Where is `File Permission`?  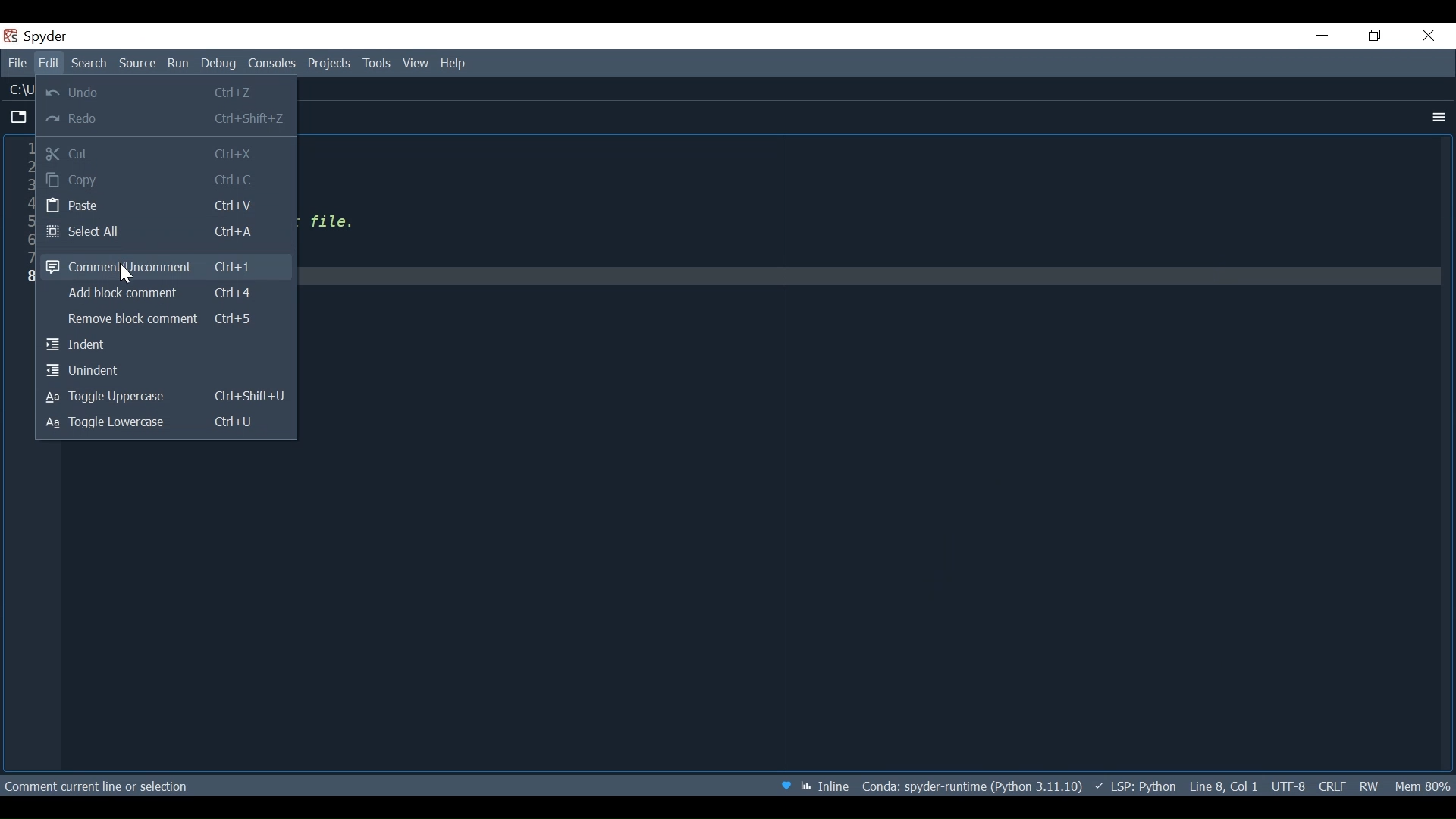
File Permission is located at coordinates (1369, 786).